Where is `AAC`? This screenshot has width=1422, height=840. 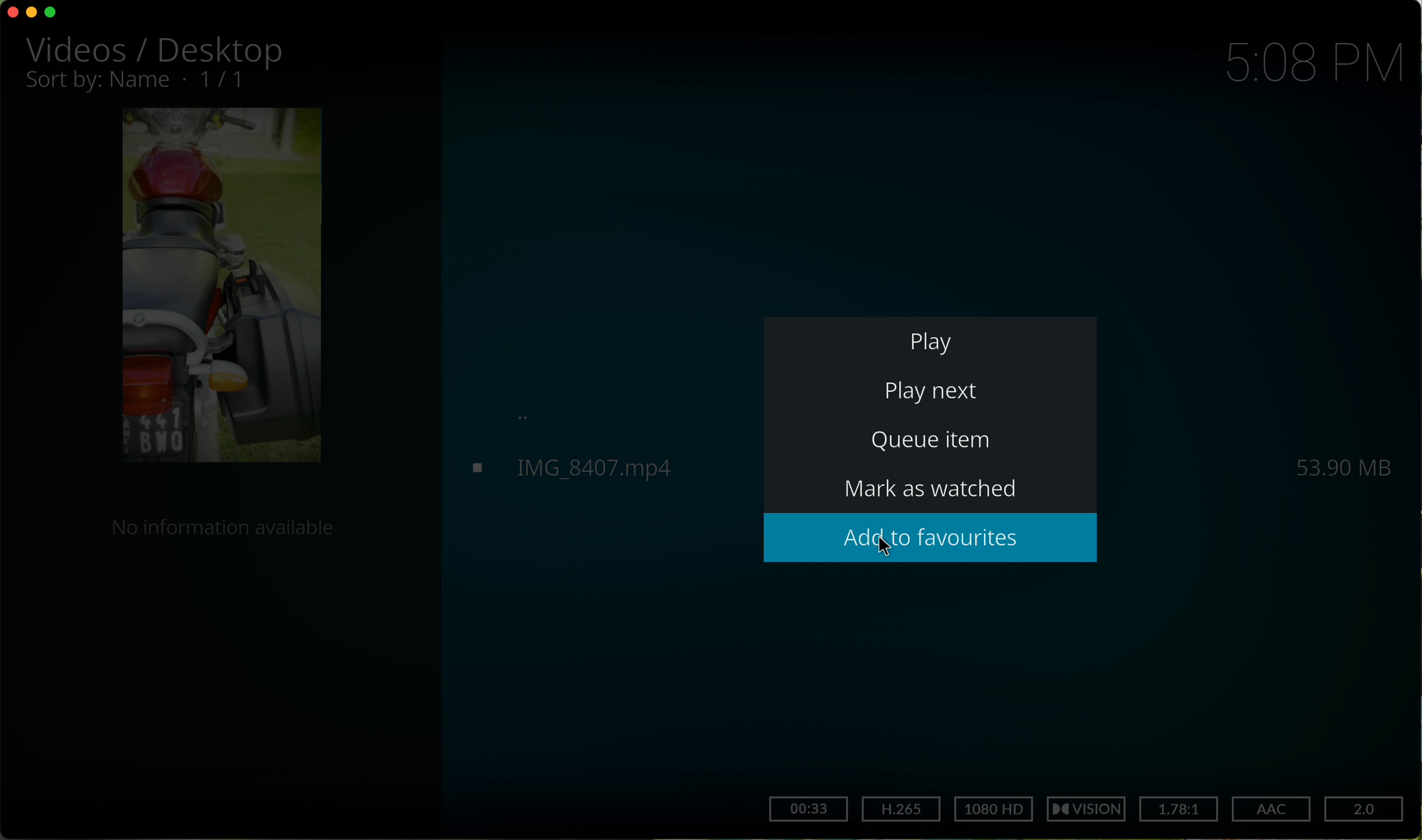
AAC is located at coordinates (1271, 808).